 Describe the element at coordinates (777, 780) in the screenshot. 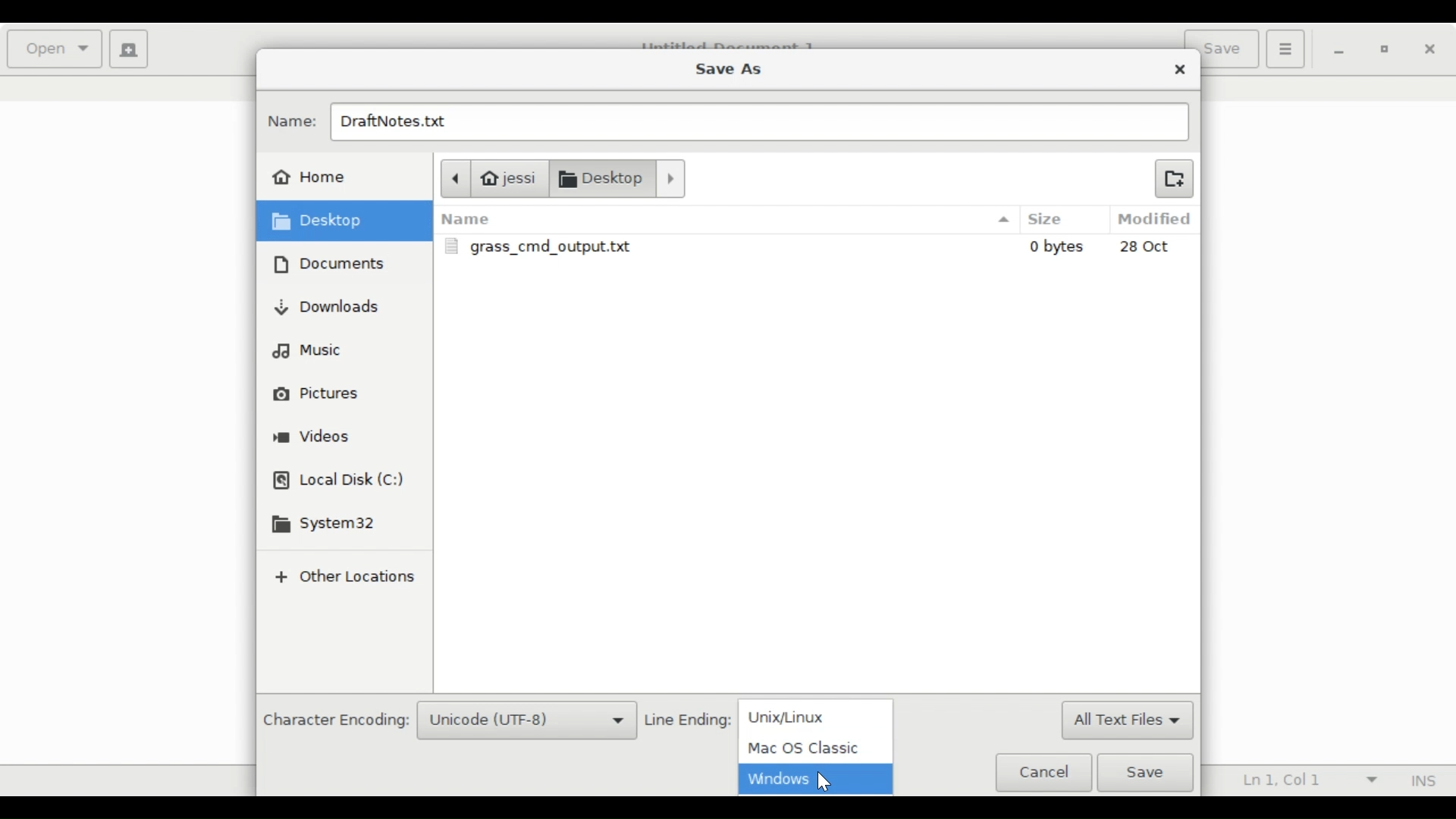

I see `Window` at that location.